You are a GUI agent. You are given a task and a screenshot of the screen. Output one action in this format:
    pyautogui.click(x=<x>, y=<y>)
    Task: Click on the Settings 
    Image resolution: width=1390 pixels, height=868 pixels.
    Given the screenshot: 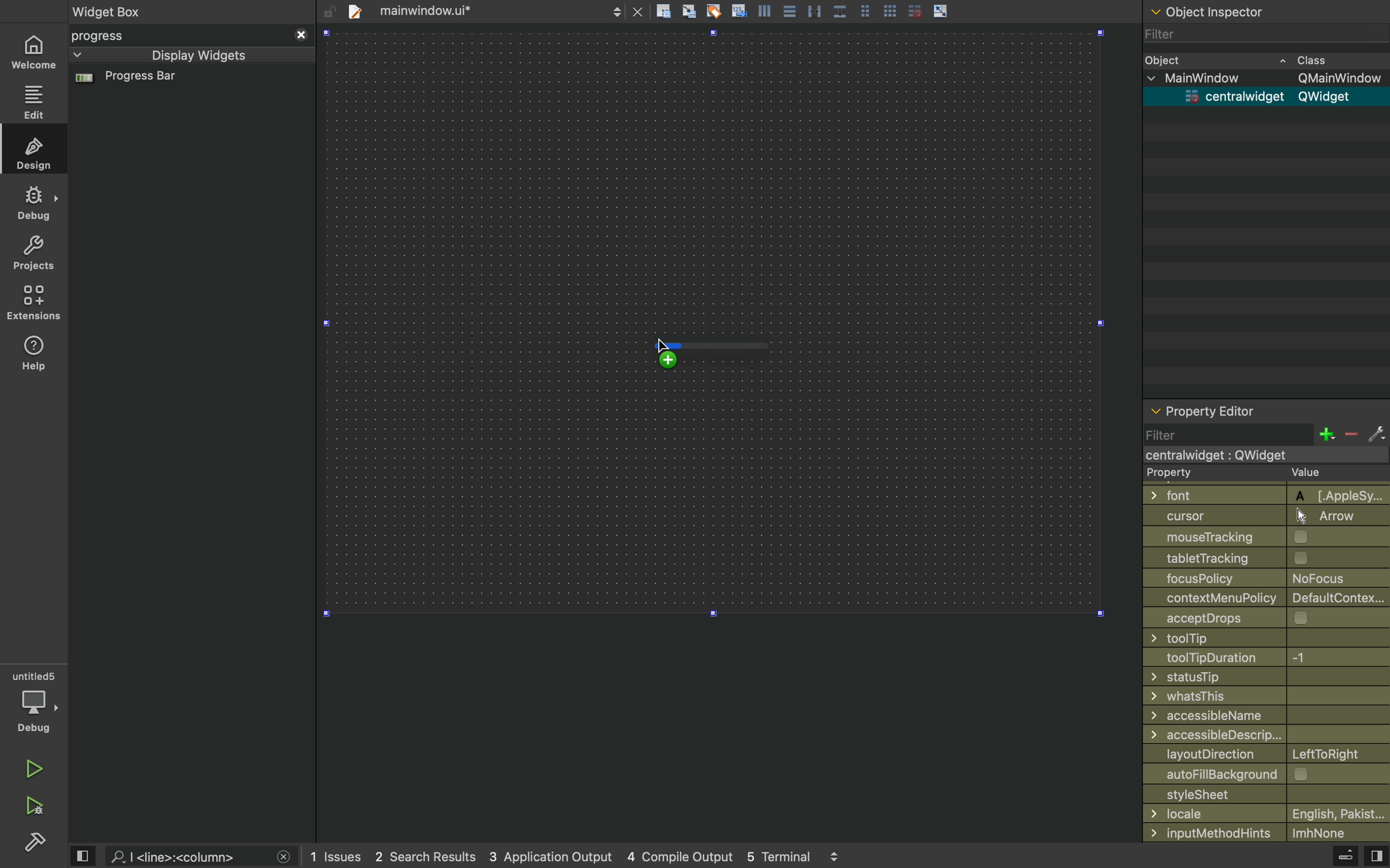 What is the action you would take?
    pyautogui.click(x=34, y=841)
    